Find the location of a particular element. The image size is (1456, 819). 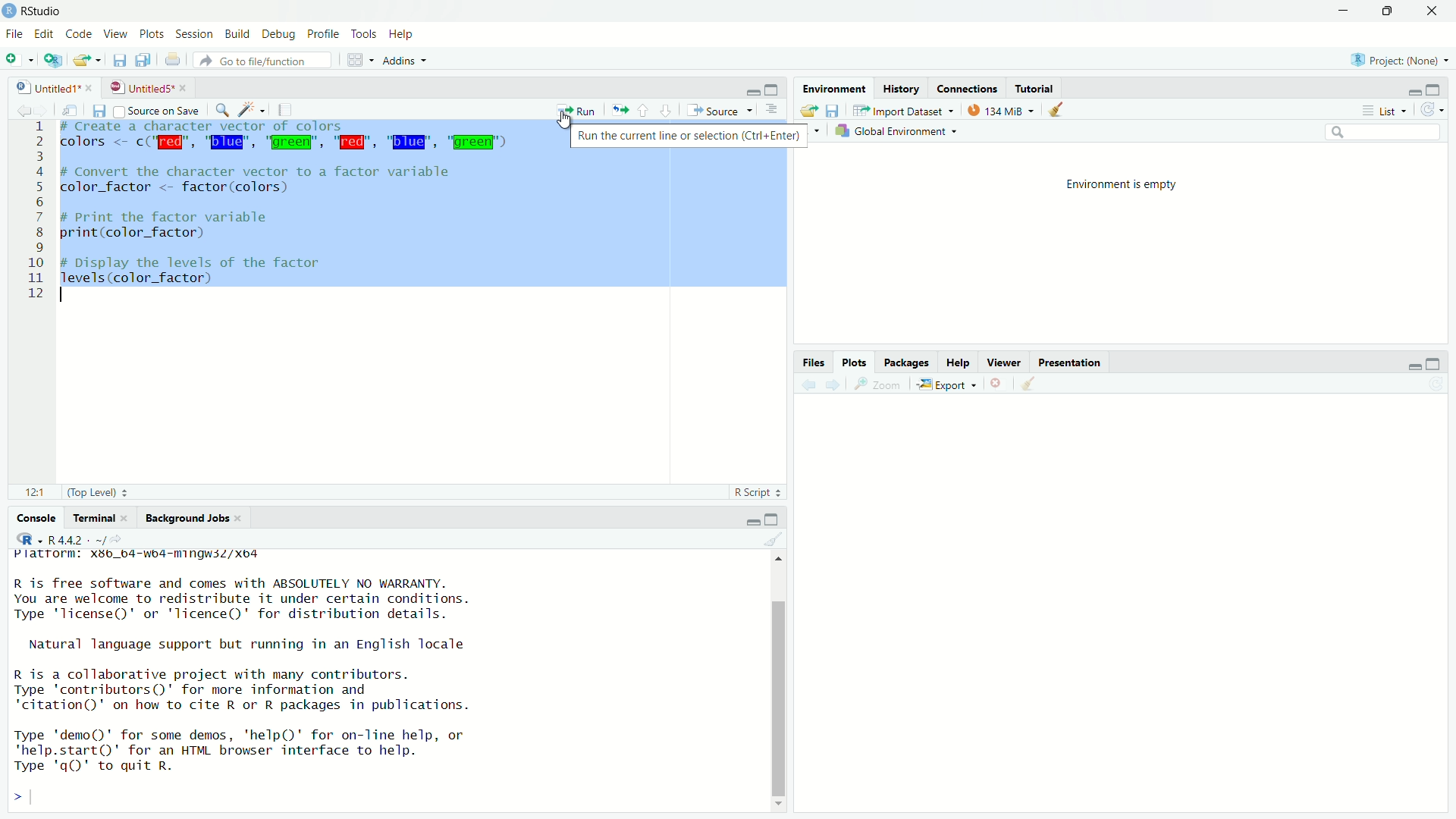

close is located at coordinates (187, 87).